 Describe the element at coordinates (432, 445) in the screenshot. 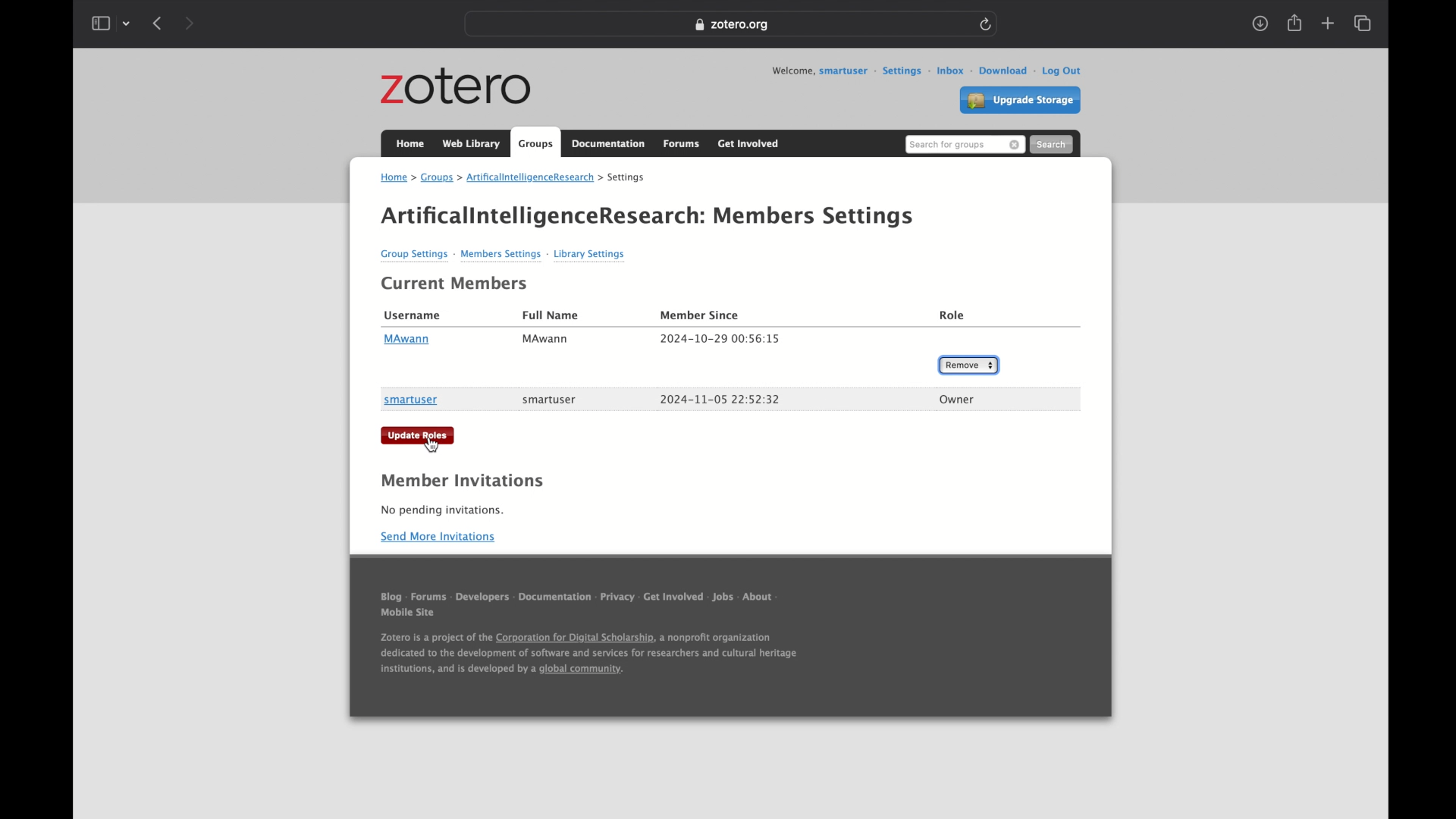

I see `cursor` at that location.